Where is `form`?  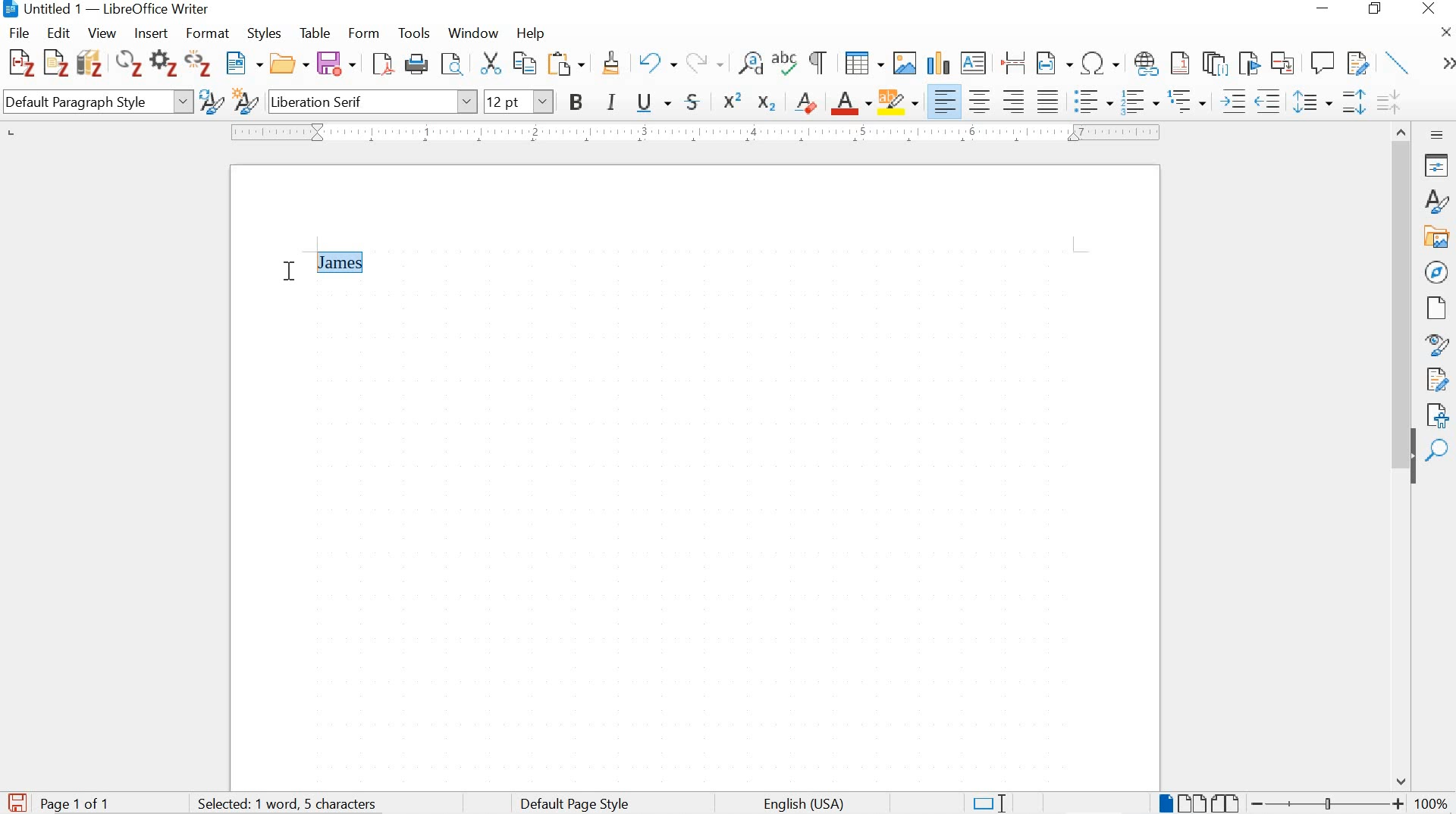
form is located at coordinates (365, 33).